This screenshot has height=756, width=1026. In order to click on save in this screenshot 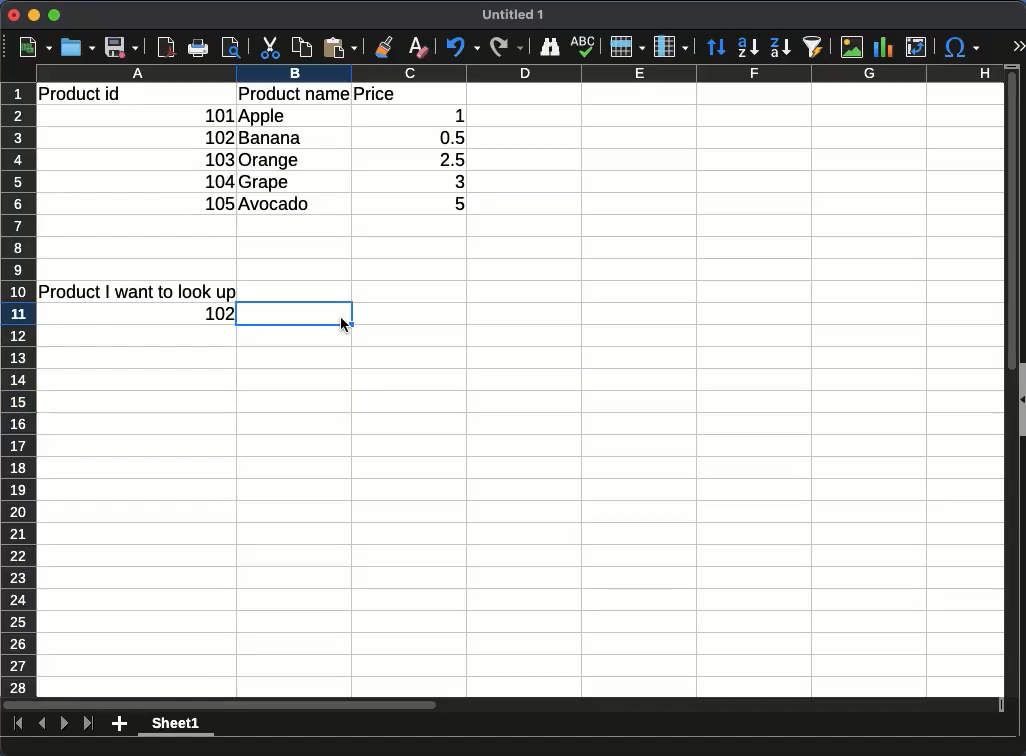, I will do `click(122, 47)`.